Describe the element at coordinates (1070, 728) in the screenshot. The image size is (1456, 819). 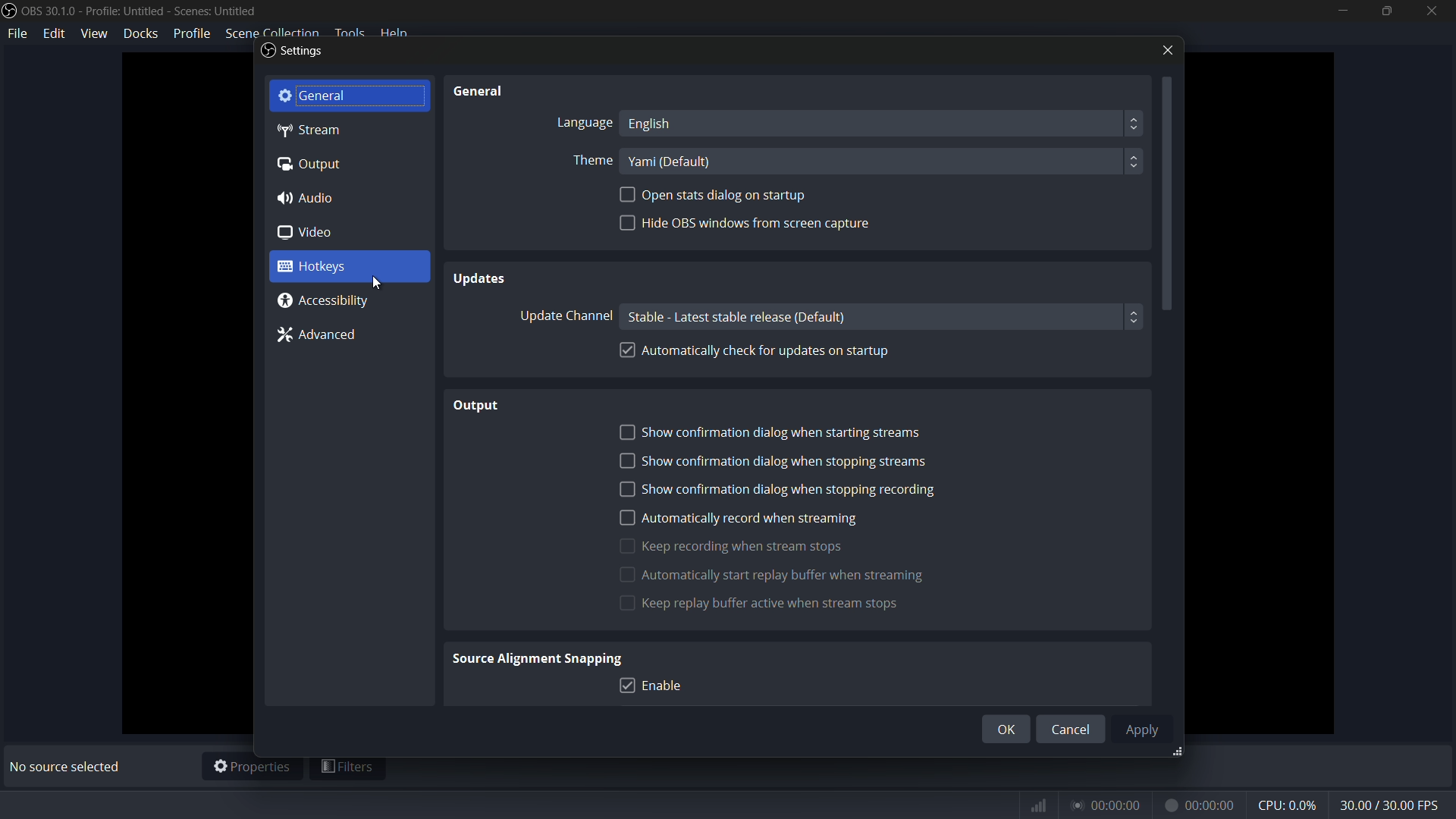
I see `cancel button` at that location.